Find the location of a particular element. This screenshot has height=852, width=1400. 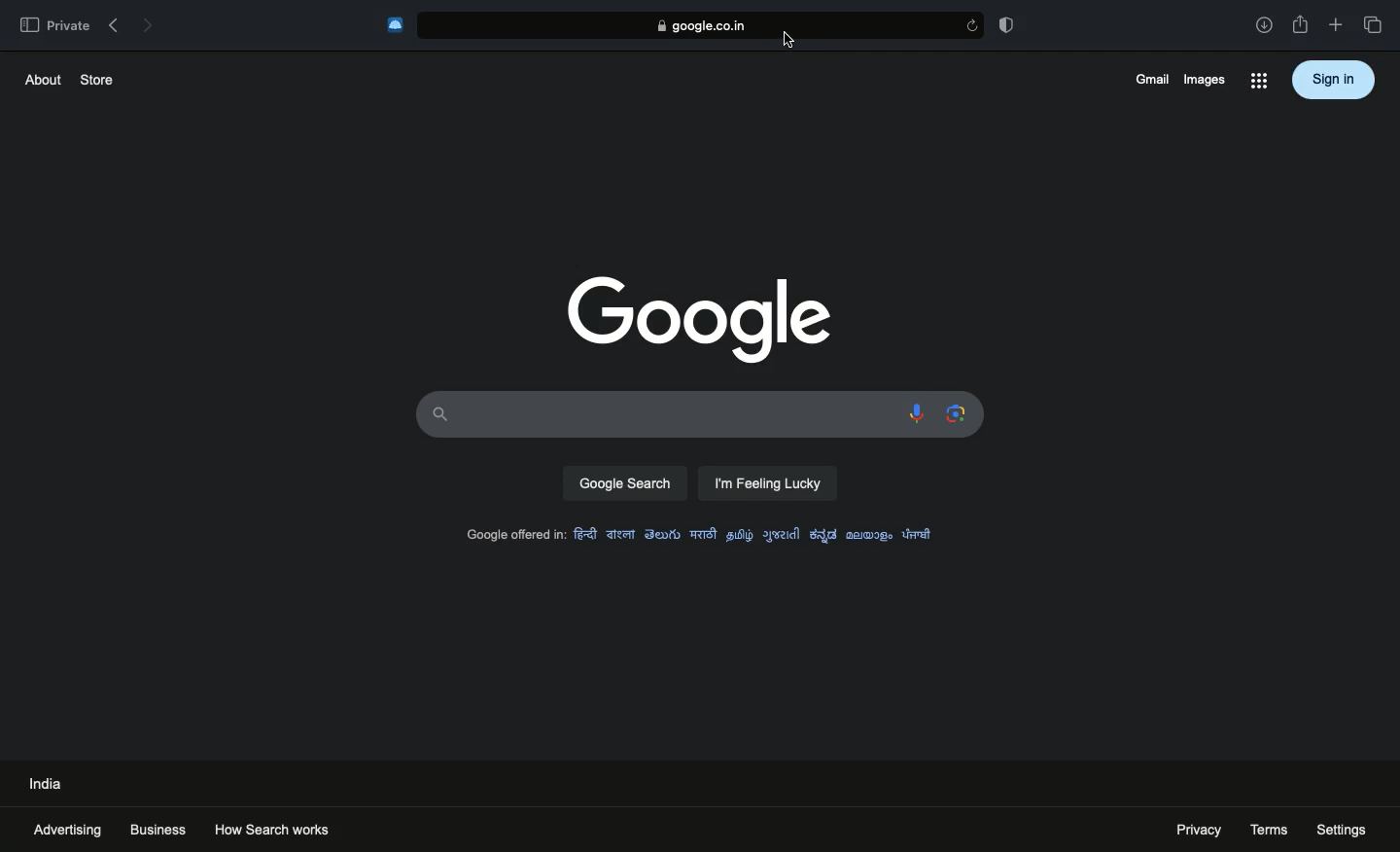

Add tab is located at coordinates (1335, 25).